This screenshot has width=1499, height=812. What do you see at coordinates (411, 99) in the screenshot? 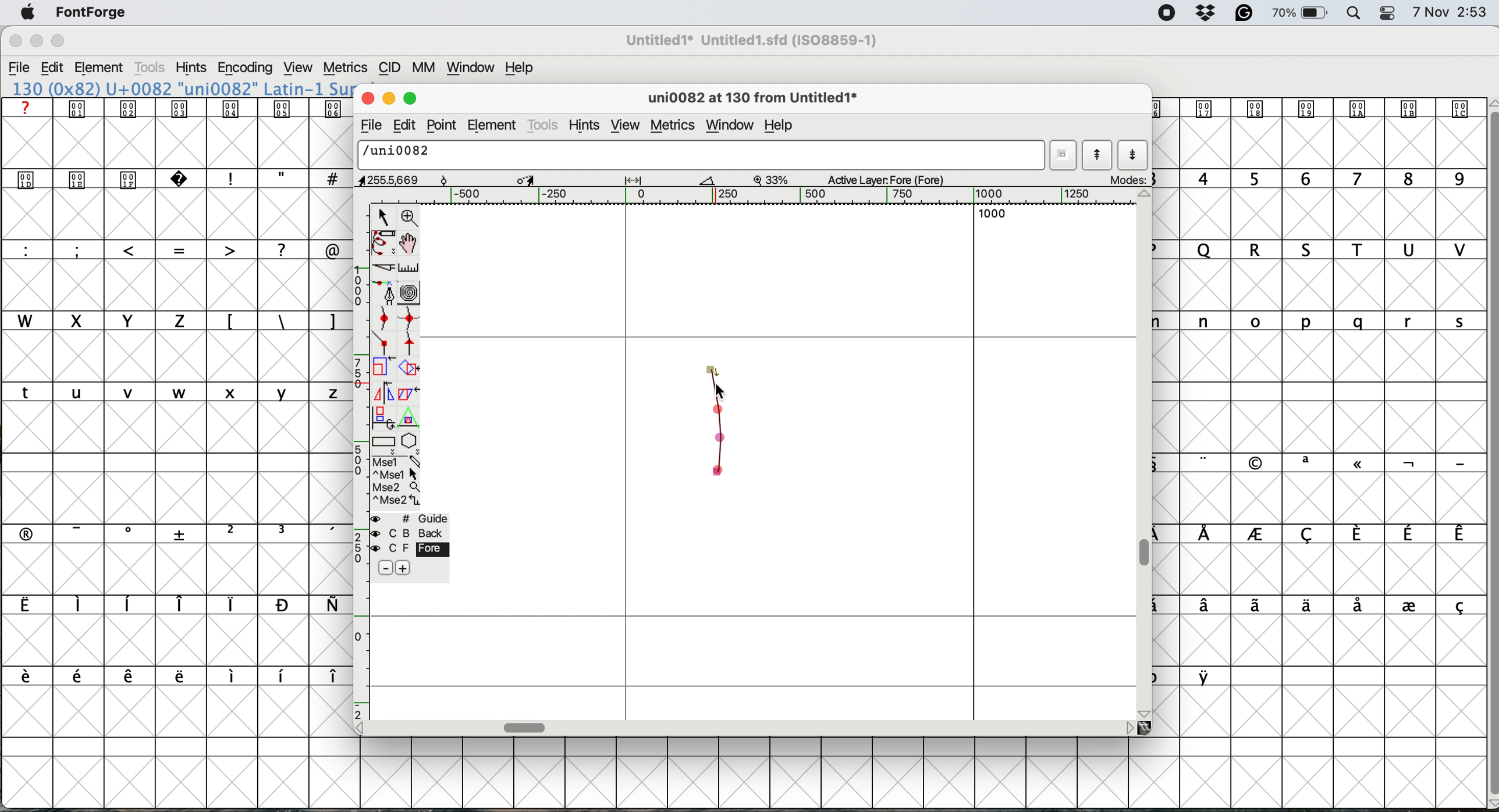
I see `maximise` at bounding box center [411, 99].